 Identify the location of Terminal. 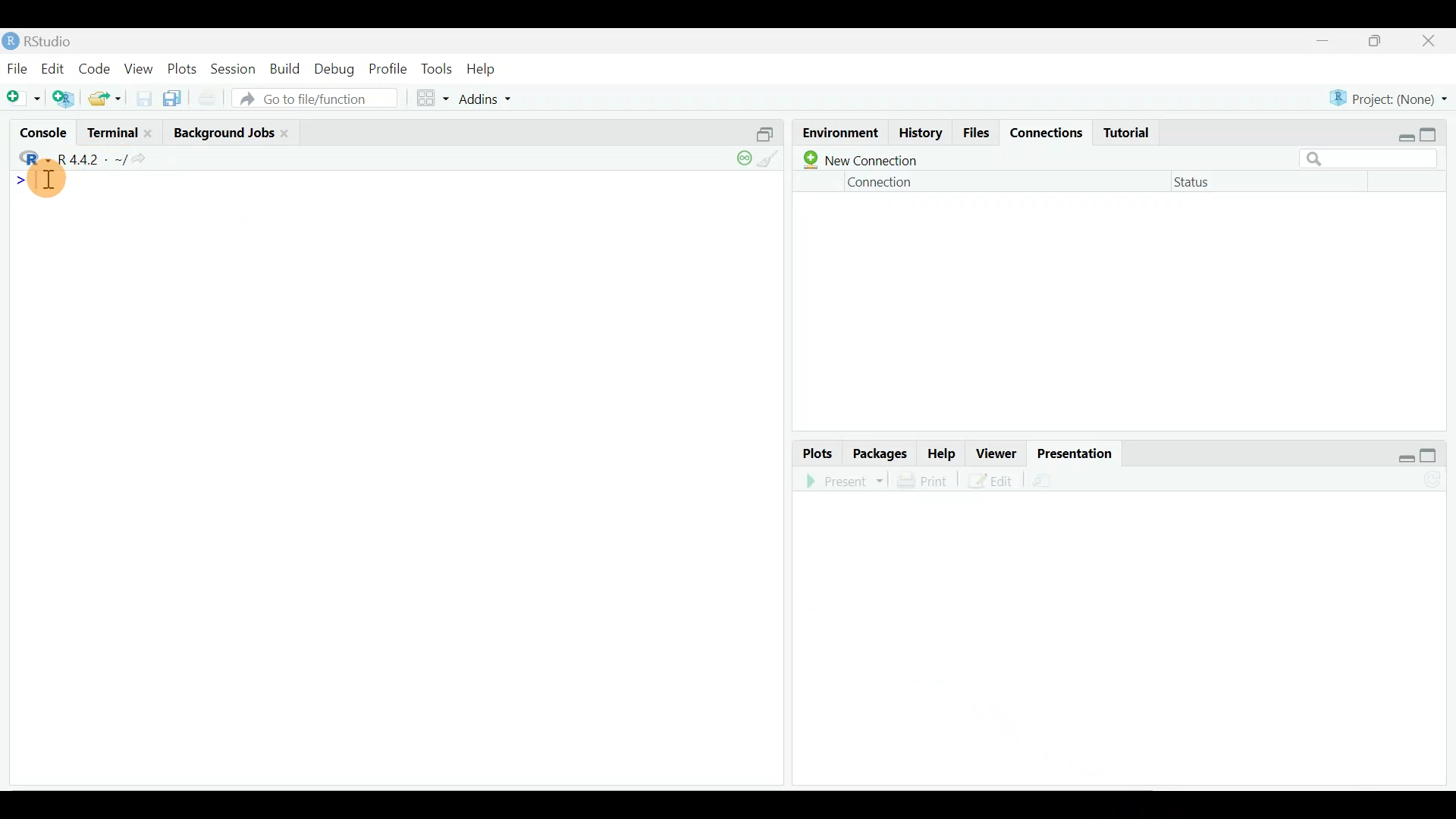
(112, 133).